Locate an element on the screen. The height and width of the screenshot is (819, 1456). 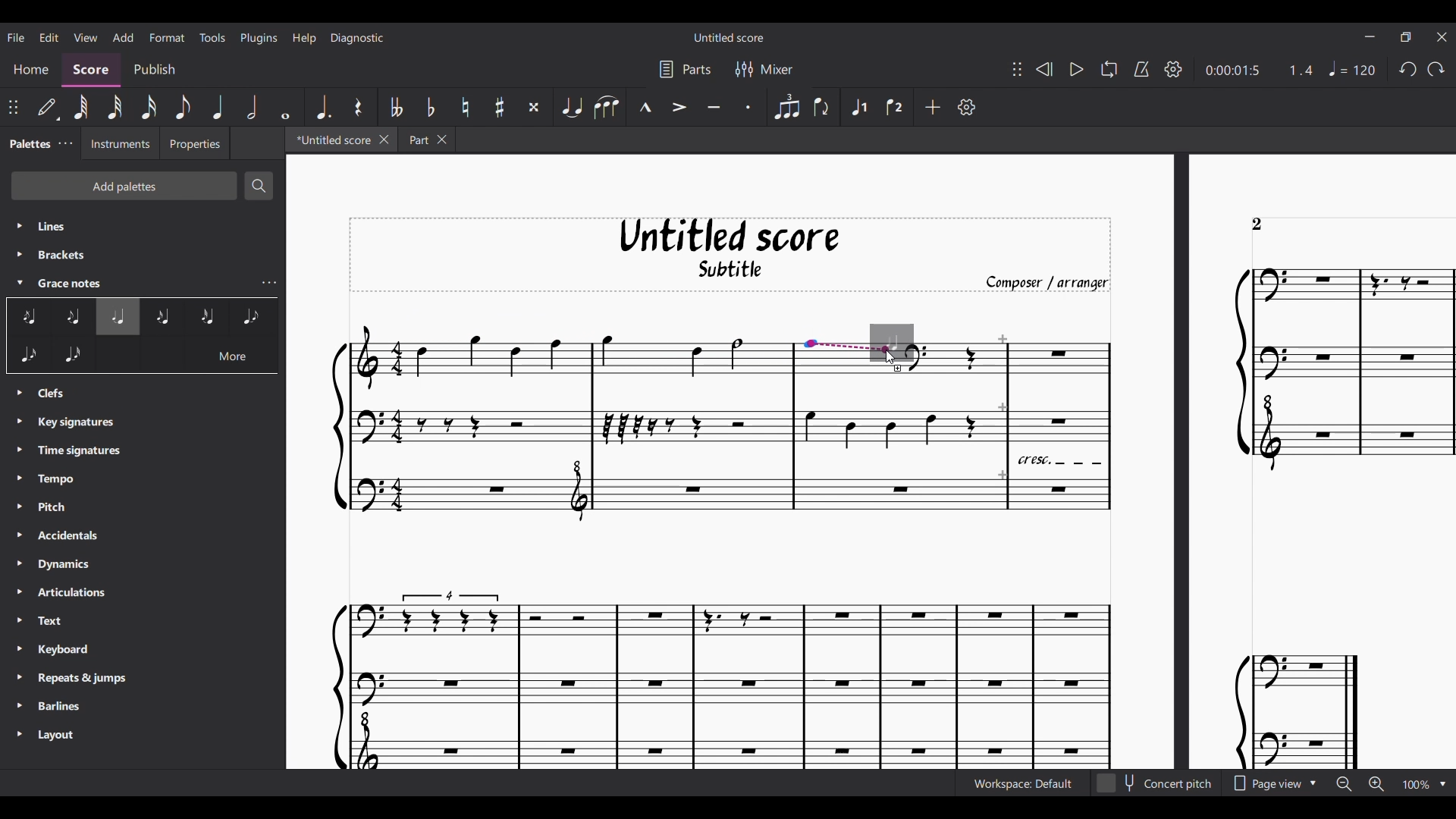
Change position of toolbar attached is located at coordinates (1016, 69).